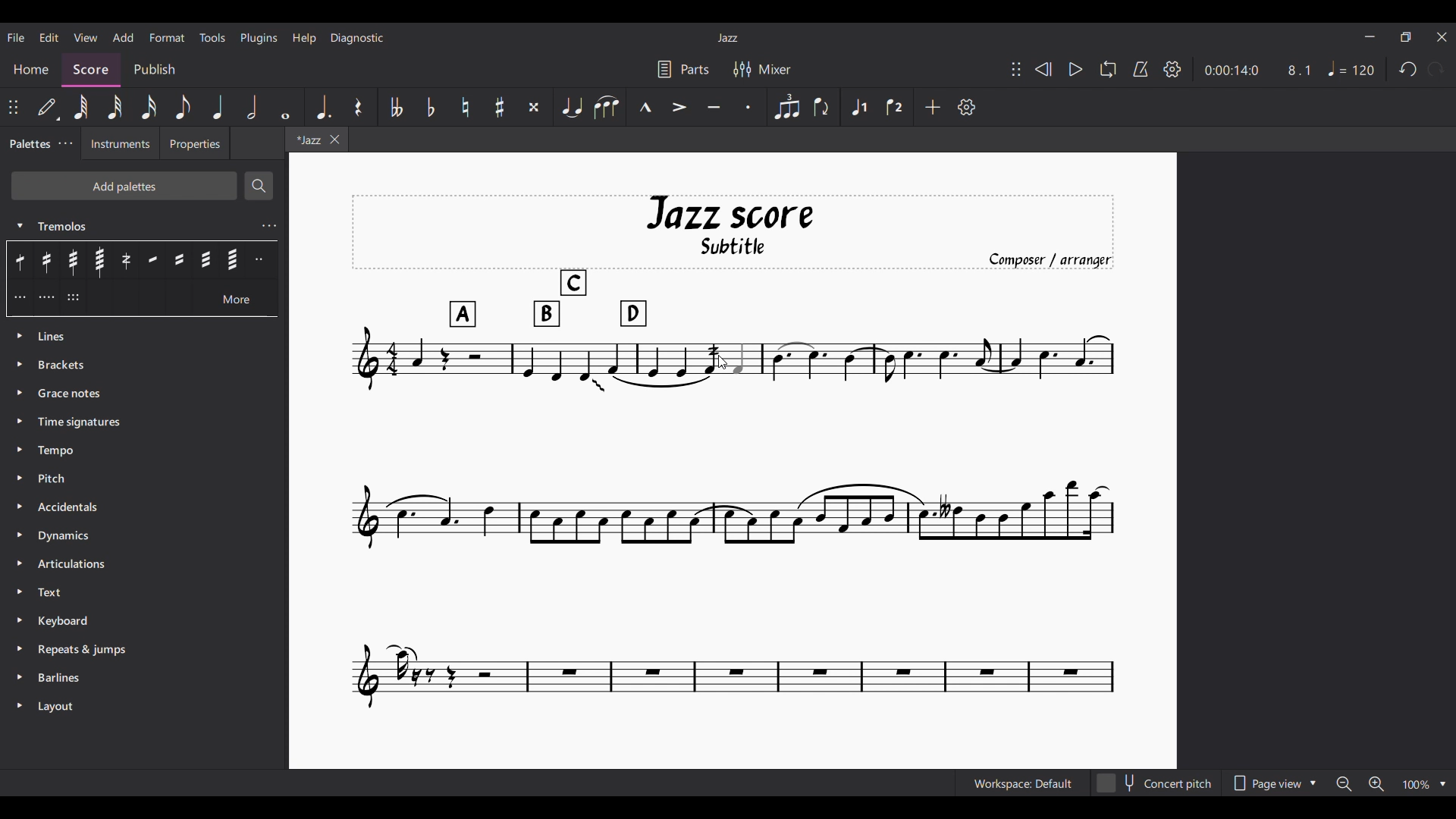 The width and height of the screenshot is (1456, 819). I want to click on Jazz, so click(728, 37).